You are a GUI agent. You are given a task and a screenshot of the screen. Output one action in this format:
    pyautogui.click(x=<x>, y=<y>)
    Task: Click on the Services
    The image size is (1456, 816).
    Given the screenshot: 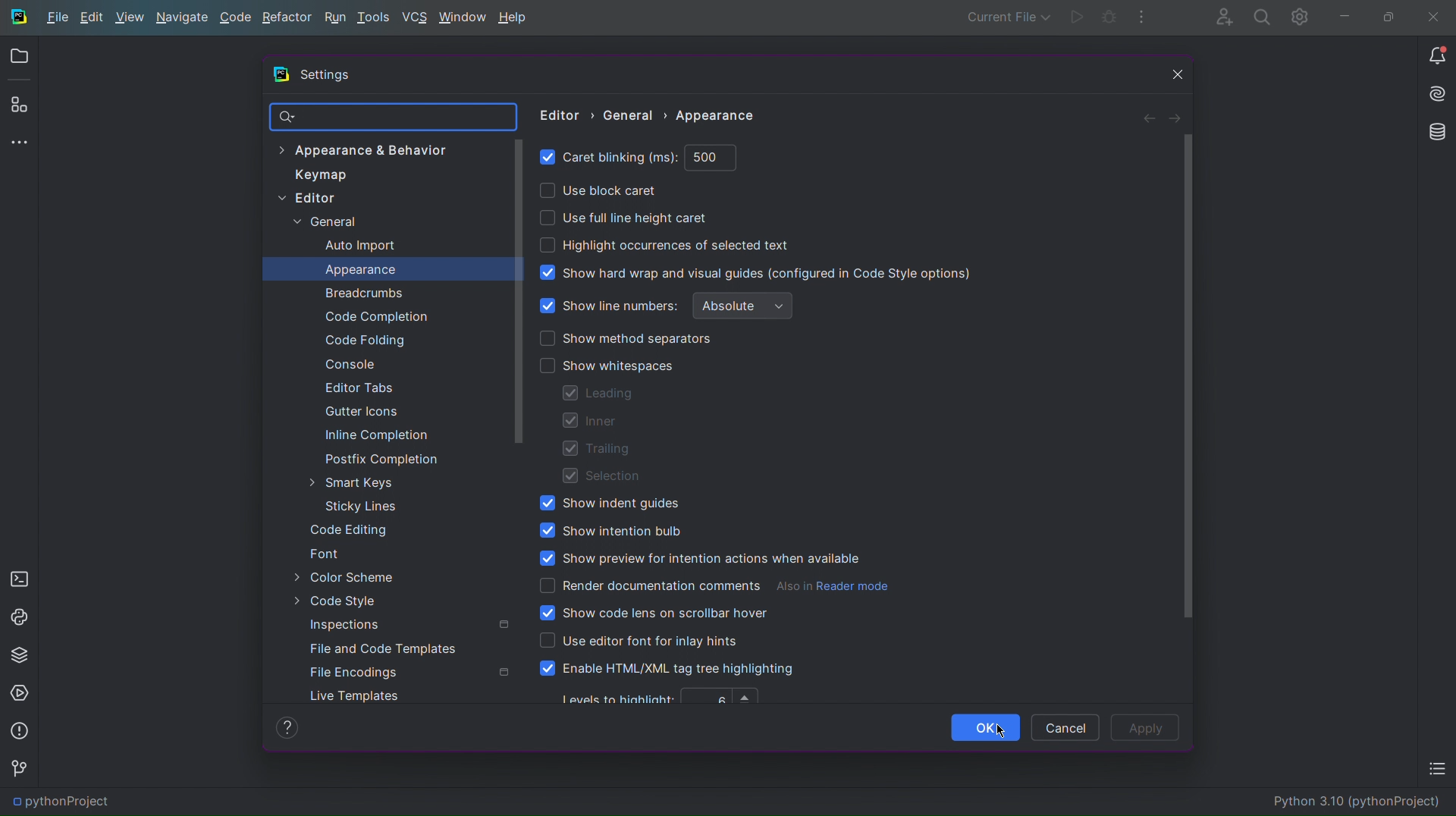 What is the action you would take?
    pyautogui.click(x=21, y=693)
    